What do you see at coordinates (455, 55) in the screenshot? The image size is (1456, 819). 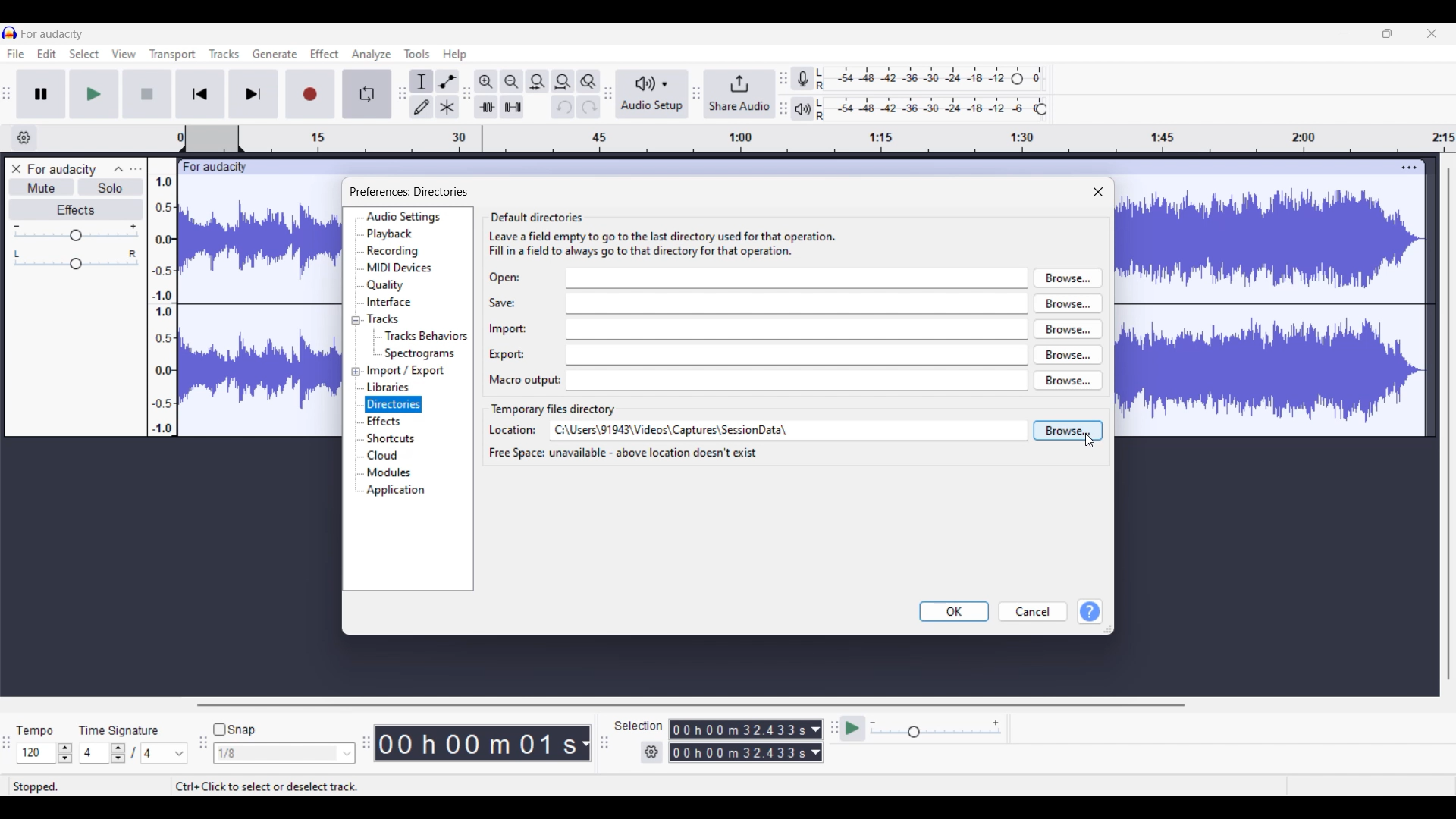 I see `Help menu` at bounding box center [455, 55].